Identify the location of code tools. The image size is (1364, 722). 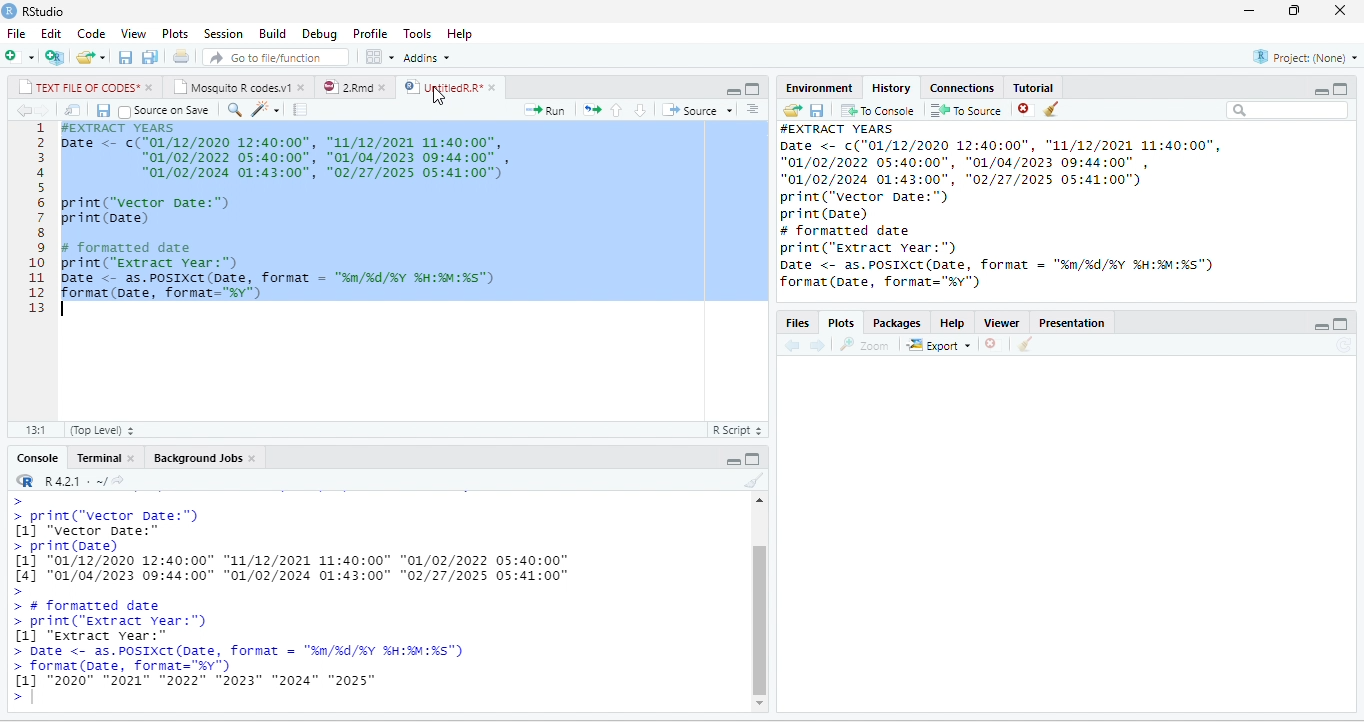
(265, 109).